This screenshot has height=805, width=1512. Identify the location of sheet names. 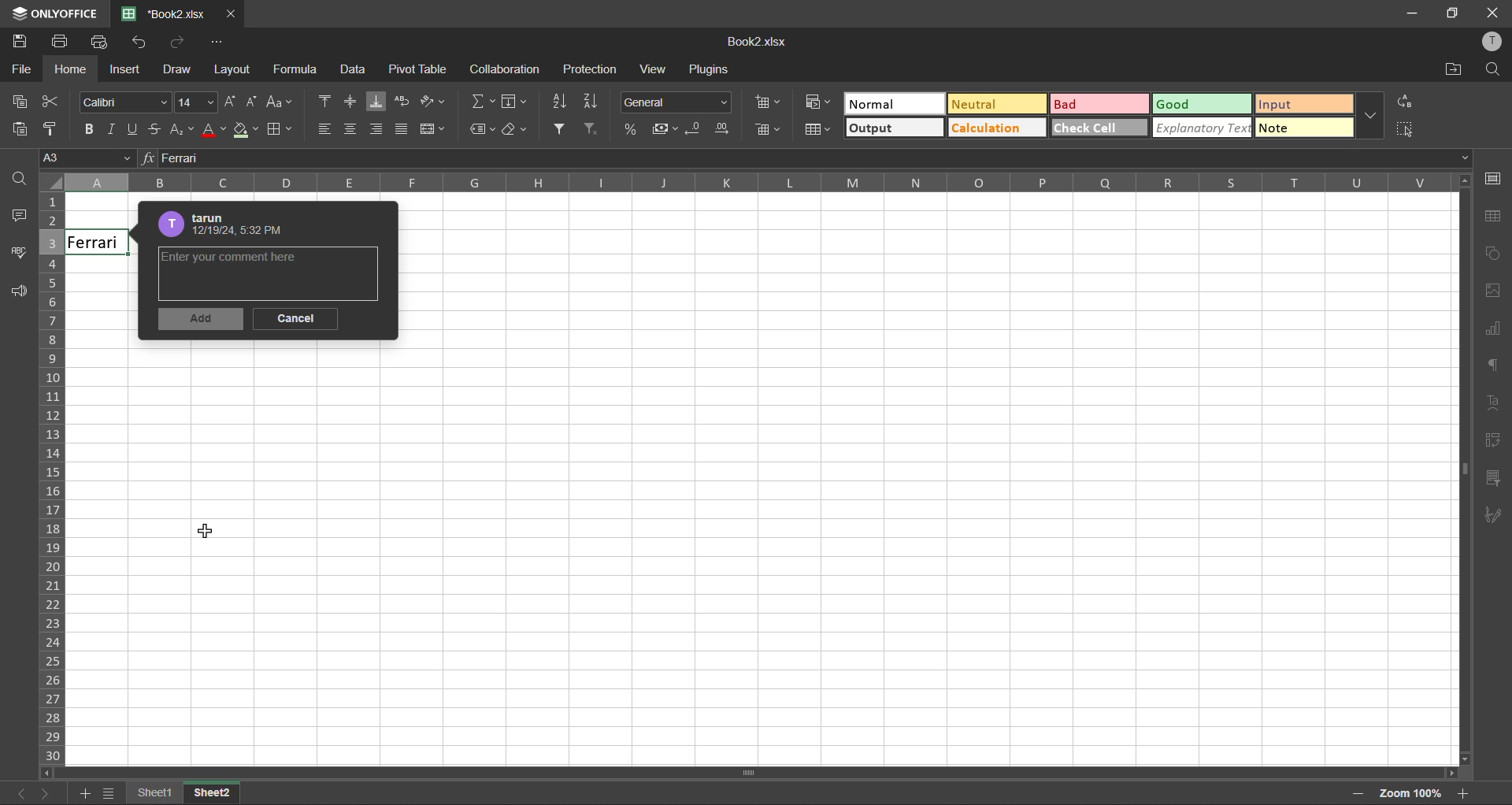
(150, 793).